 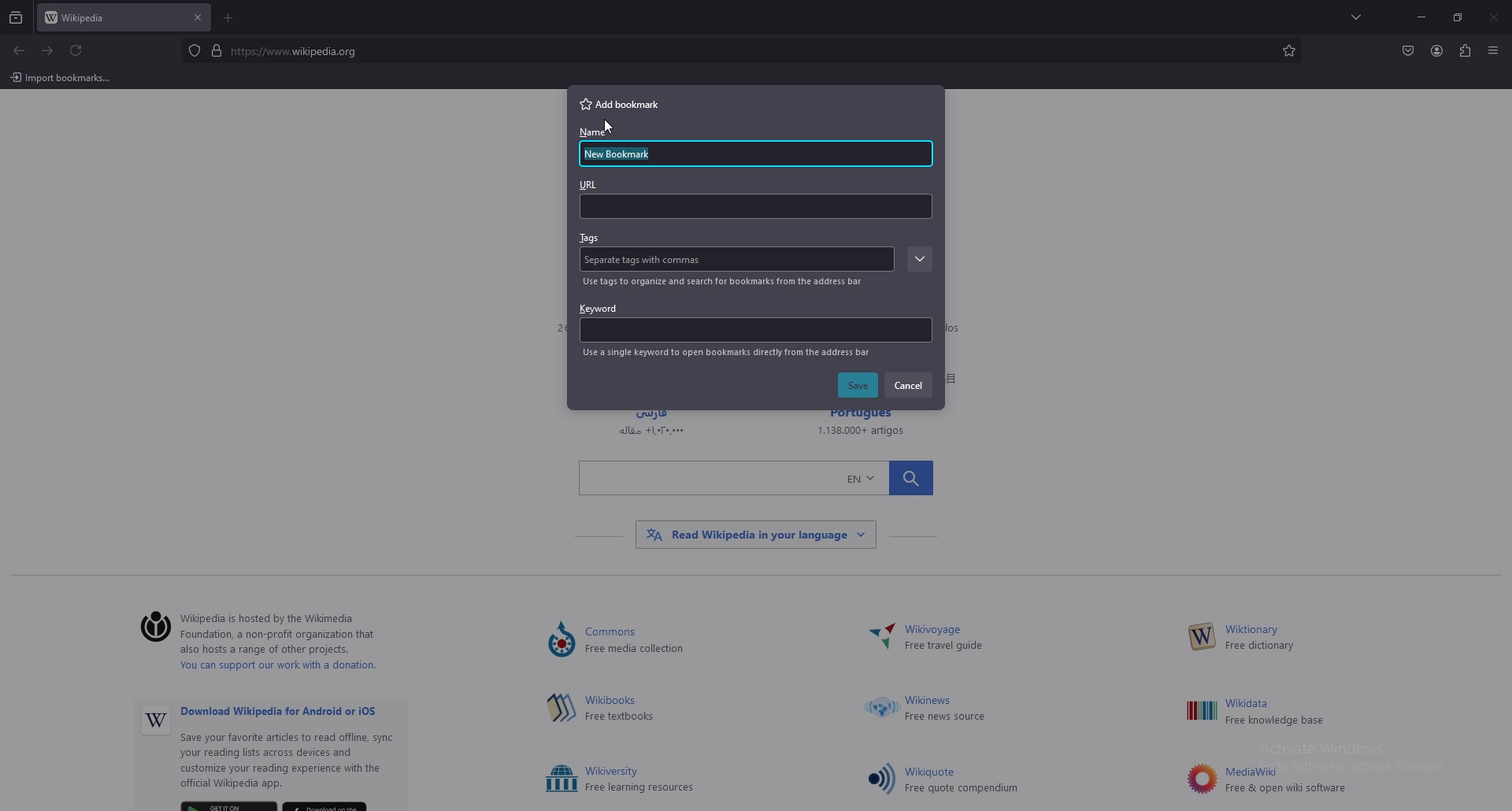 I want to click on backward, so click(x=19, y=52).